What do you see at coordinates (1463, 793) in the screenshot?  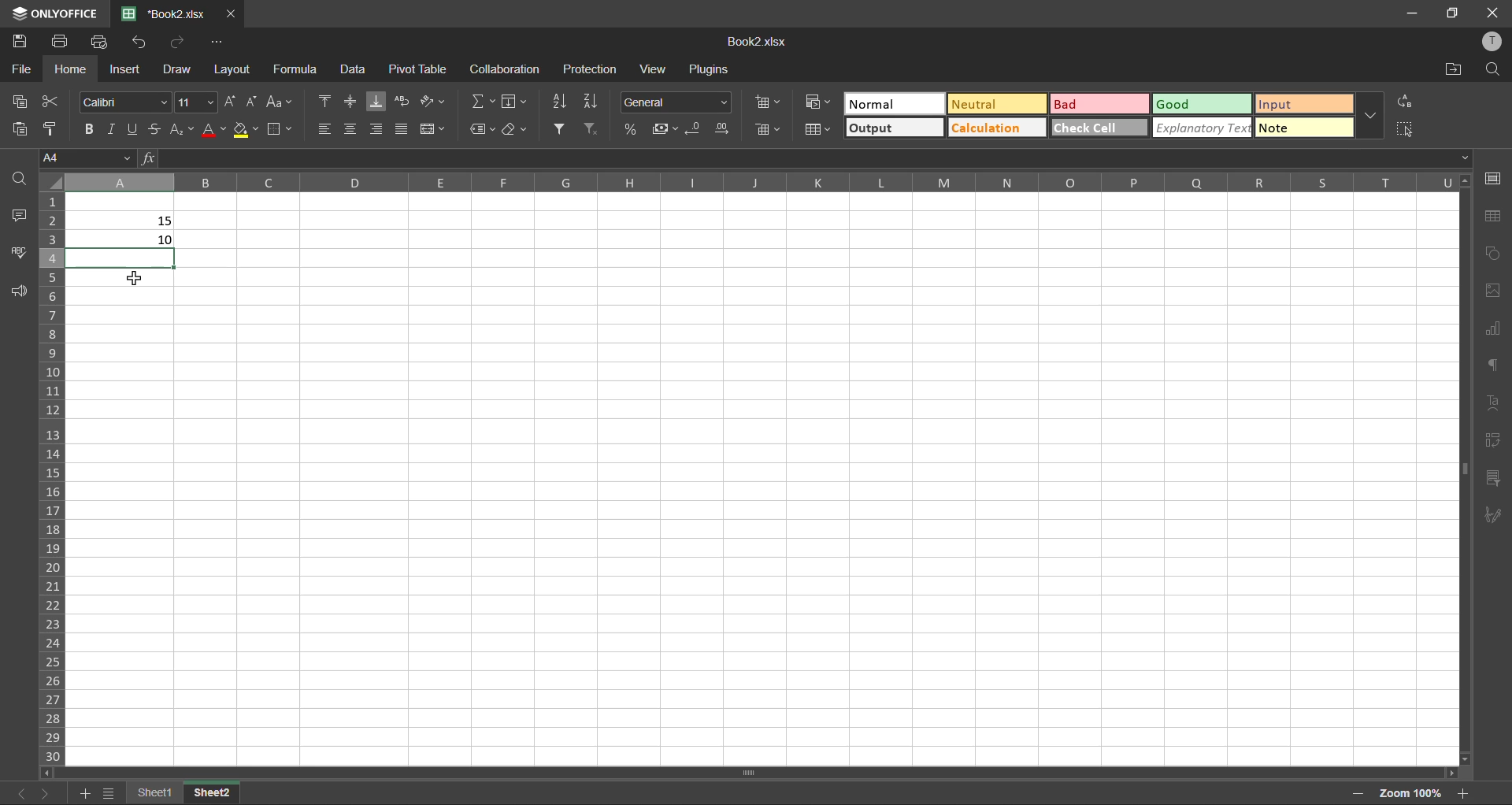 I see `zoom in` at bounding box center [1463, 793].